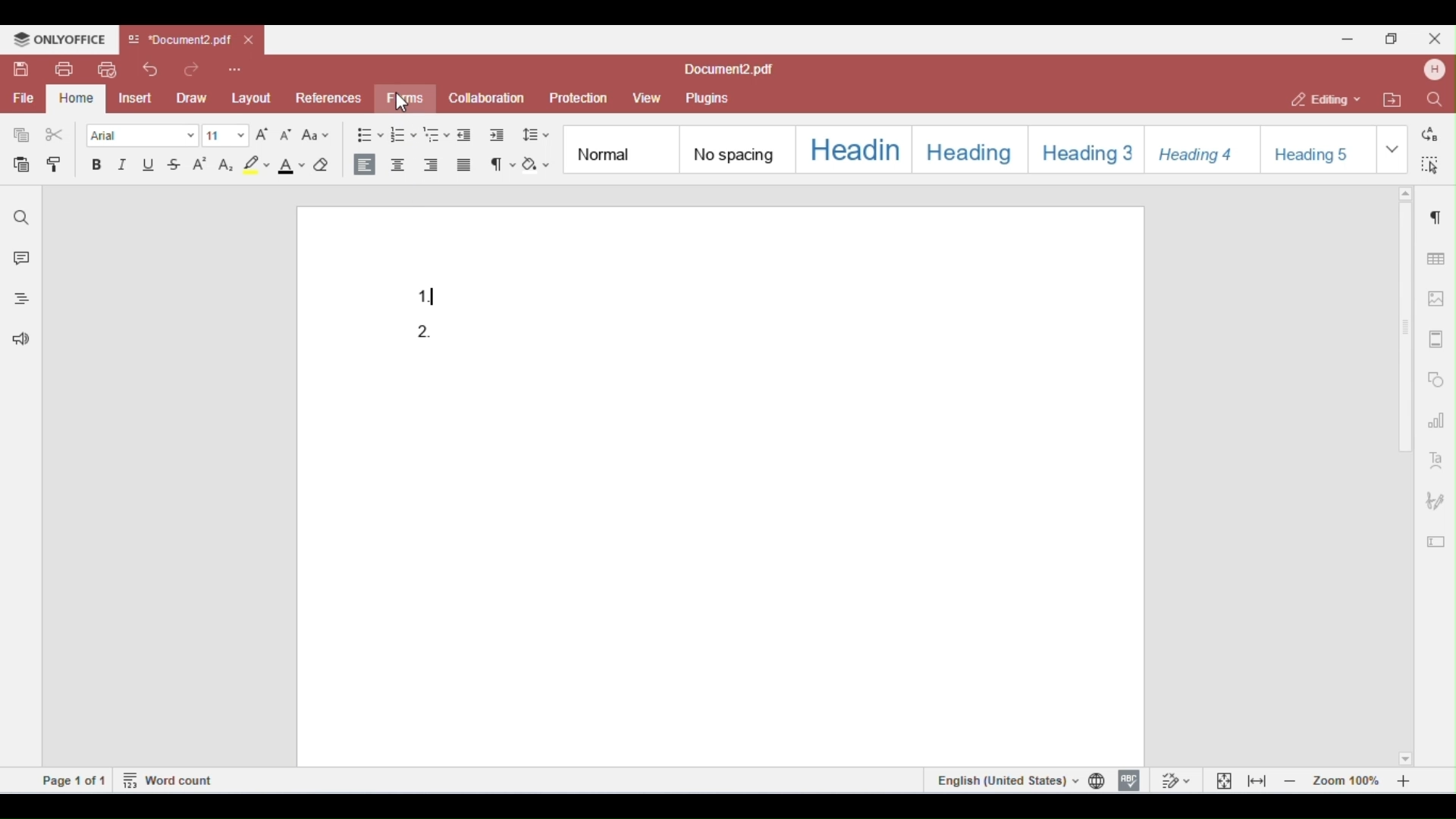  I want to click on 2., so click(428, 334).